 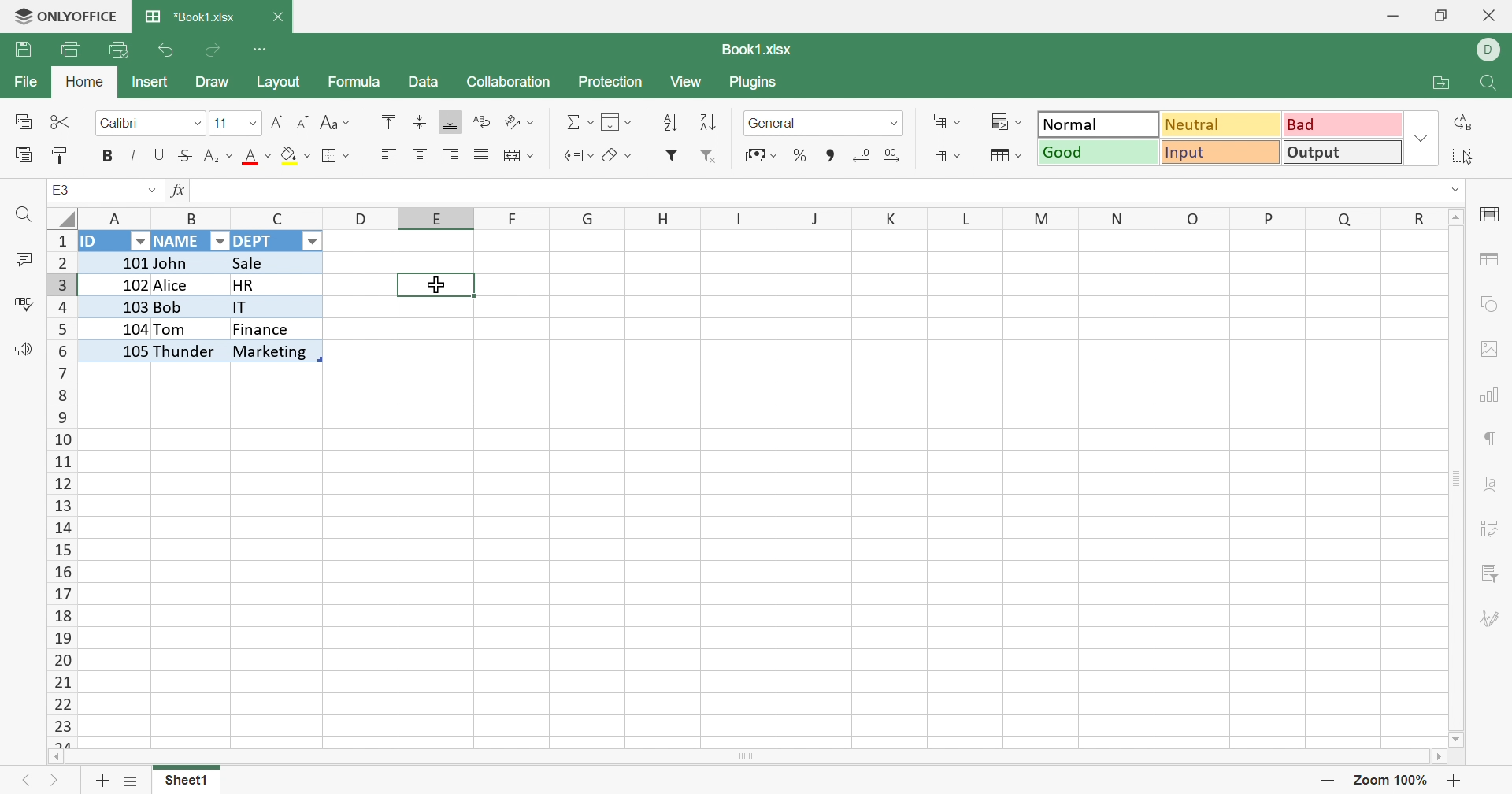 What do you see at coordinates (421, 123) in the screenshot?
I see `Align Middle` at bounding box center [421, 123].